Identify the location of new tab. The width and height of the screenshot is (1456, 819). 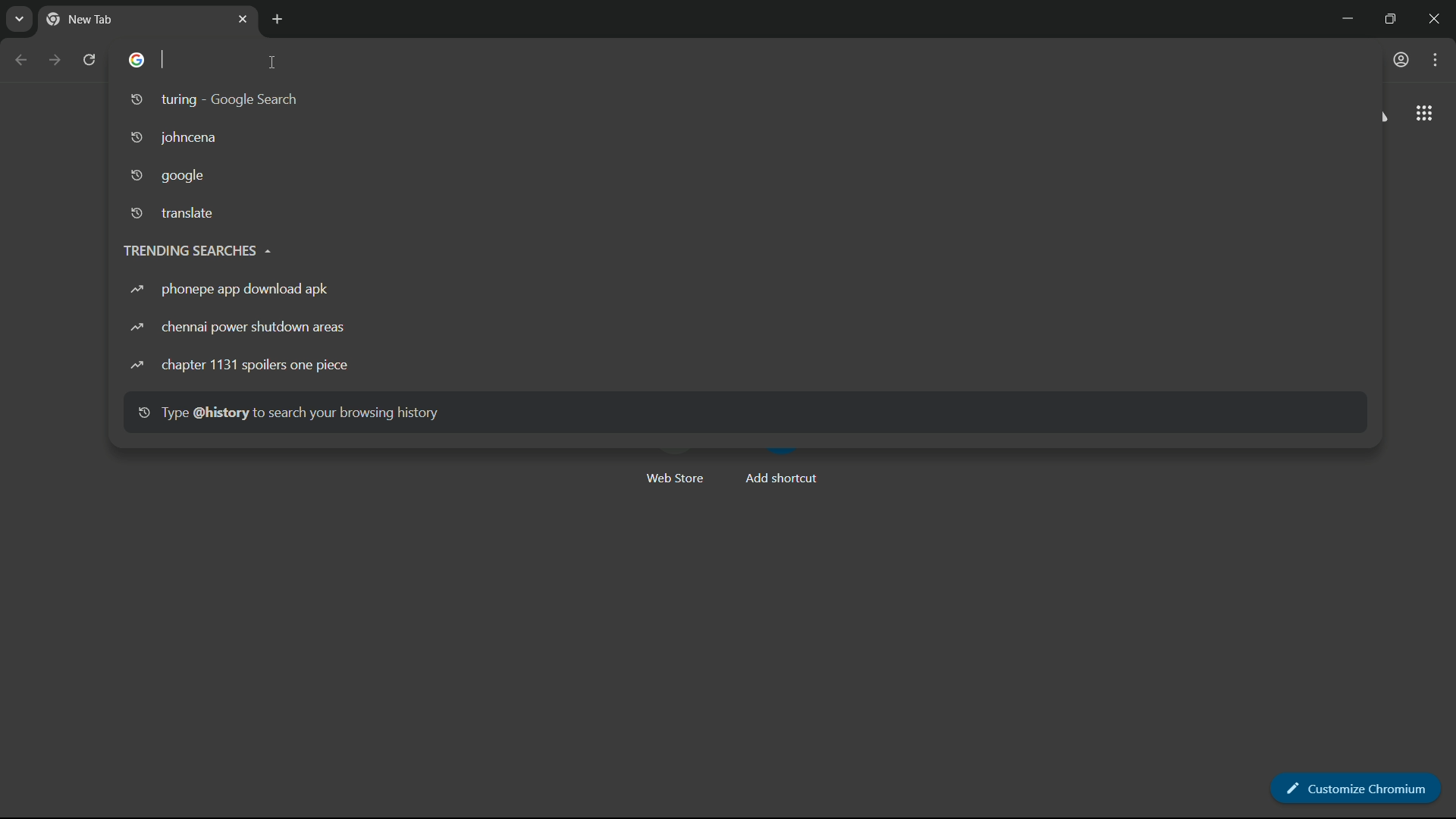
(80, 19).